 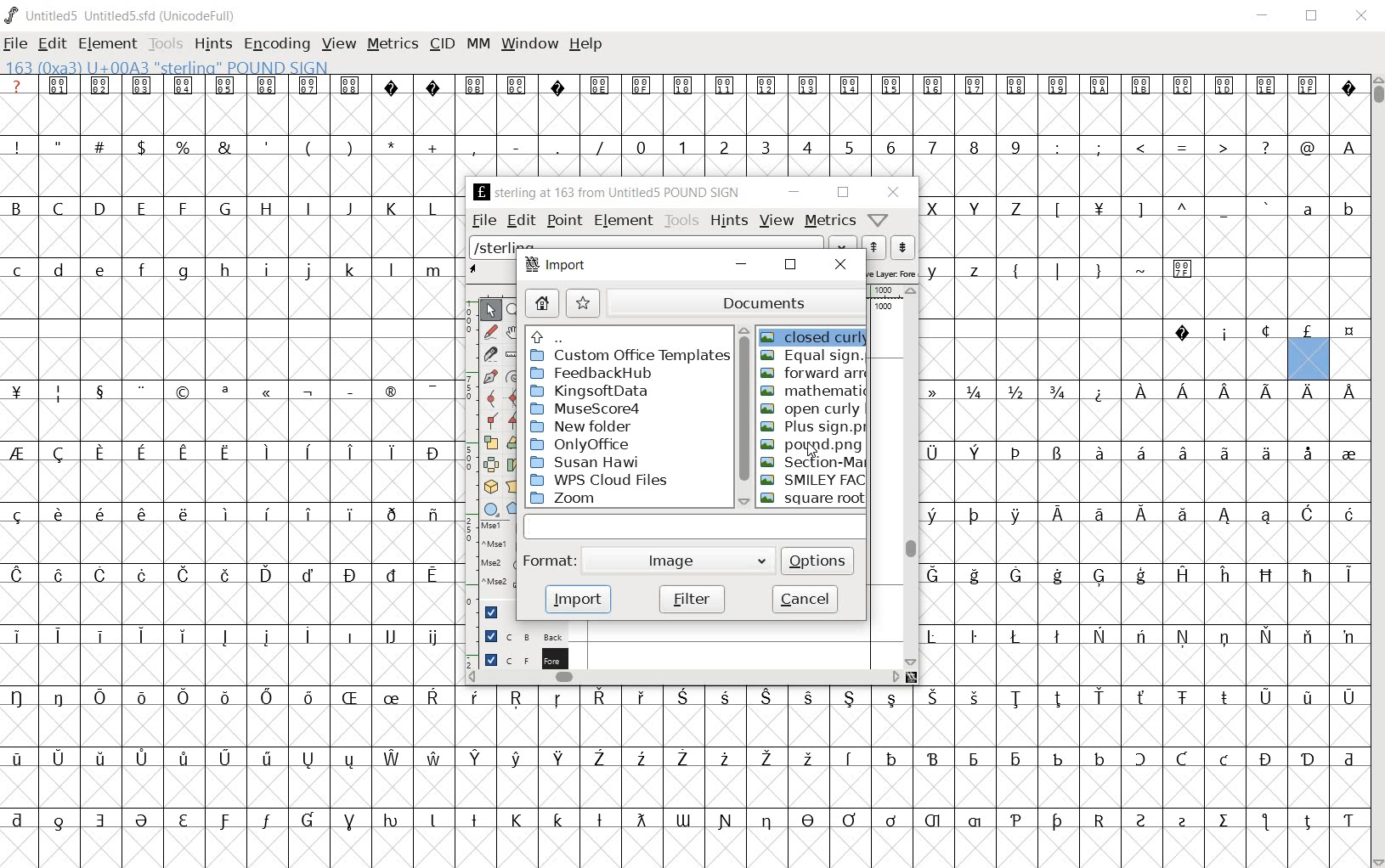 What do you see at coordinates (1347, 332) in the screenshot?
I see `Symbol` at bounding box center [1347, 332].